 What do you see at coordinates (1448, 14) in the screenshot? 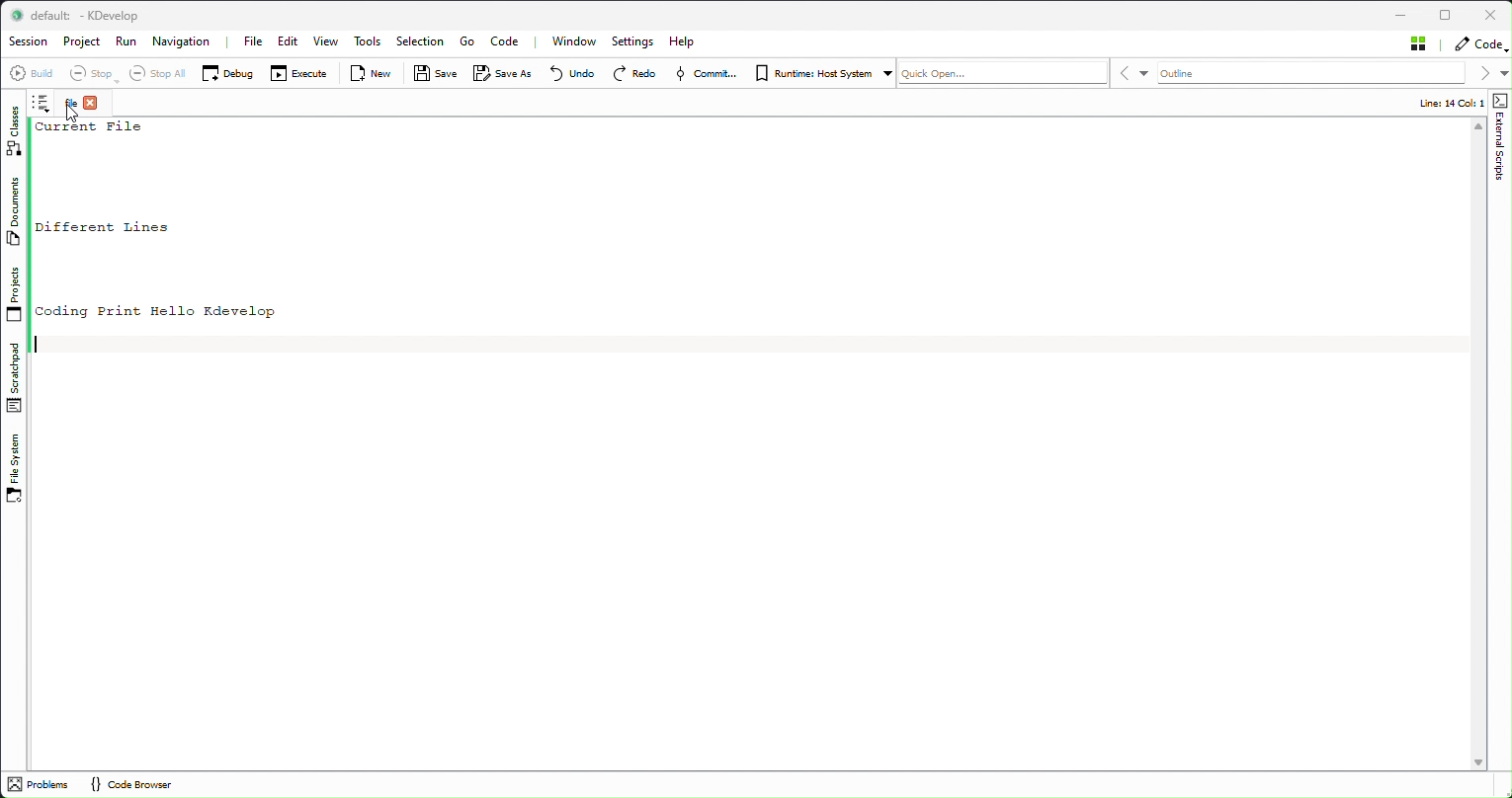
I see `Maximize` at bounding box center [1448, 14].